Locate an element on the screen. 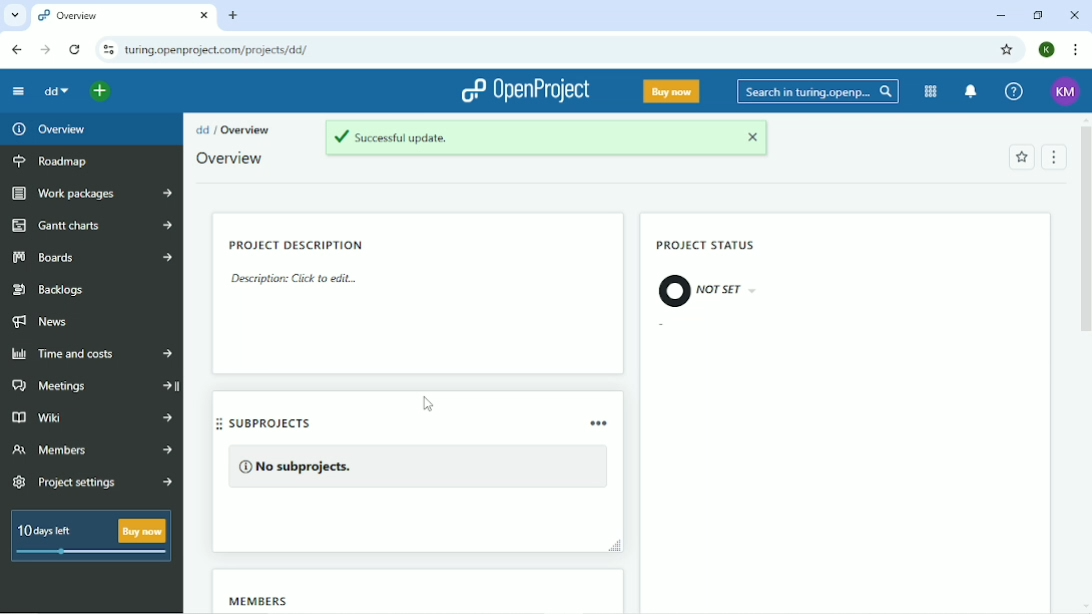  Search is located at coordinates (816, 92).